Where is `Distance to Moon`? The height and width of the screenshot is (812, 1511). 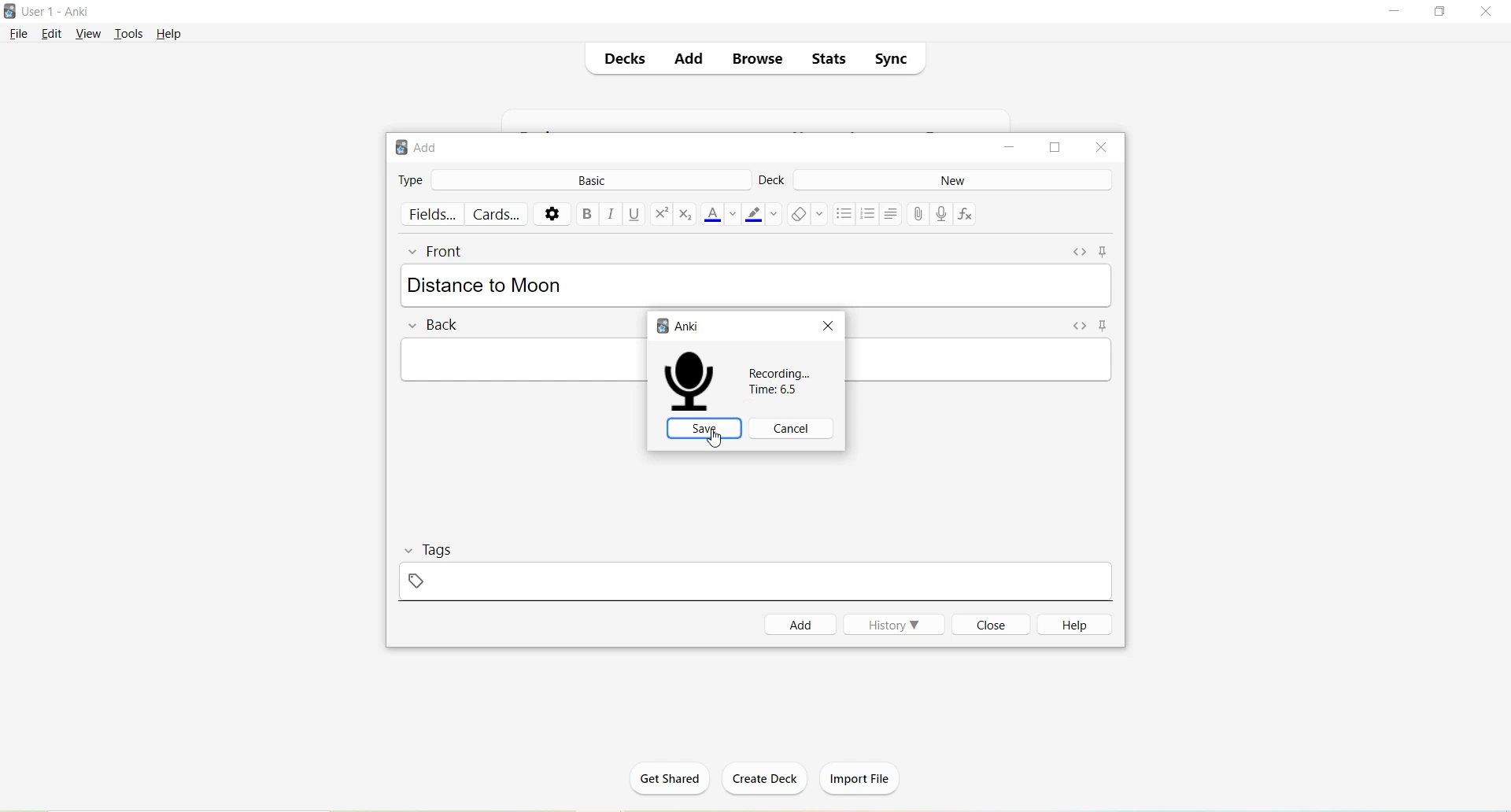 Distance to Moon is located at coordinates (485, 283).